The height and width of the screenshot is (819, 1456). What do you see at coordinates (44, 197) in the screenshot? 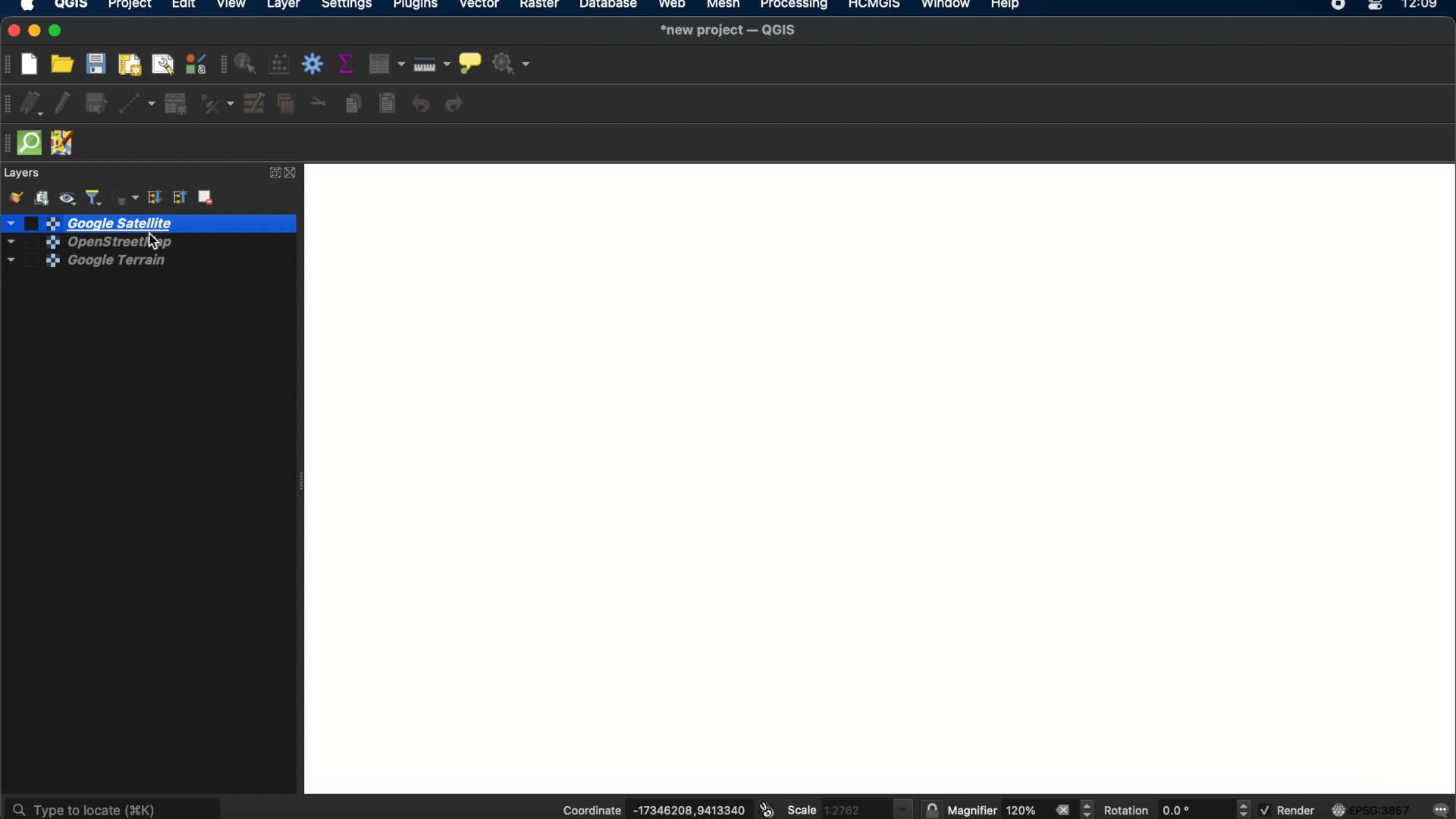
I see `add group` at bounding box center [44, 197].